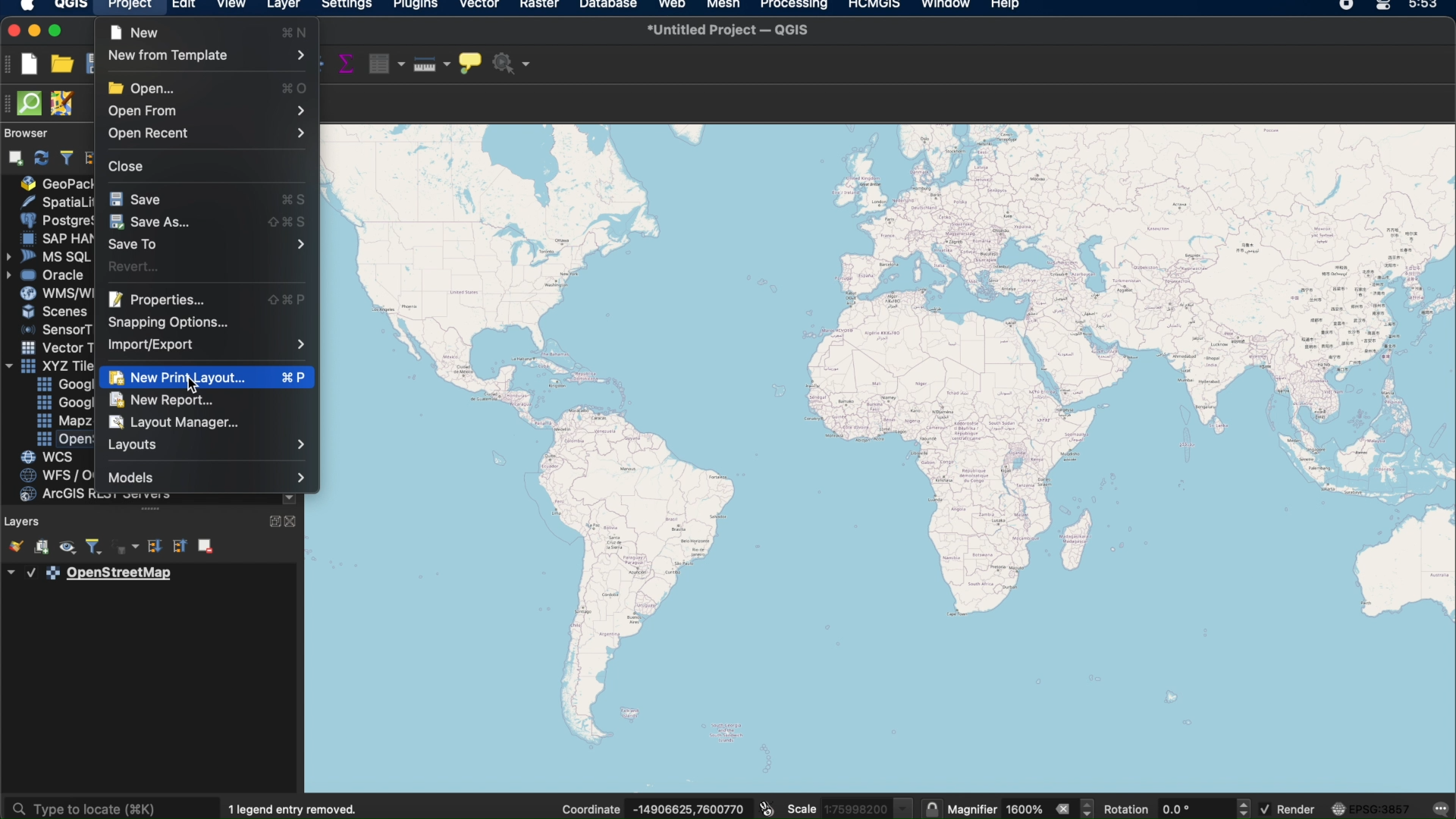  What do you see at coordinates (765, 808) in the screenshot?
I see `toggle extents and mouse position display` at bounding box center [765, 808].